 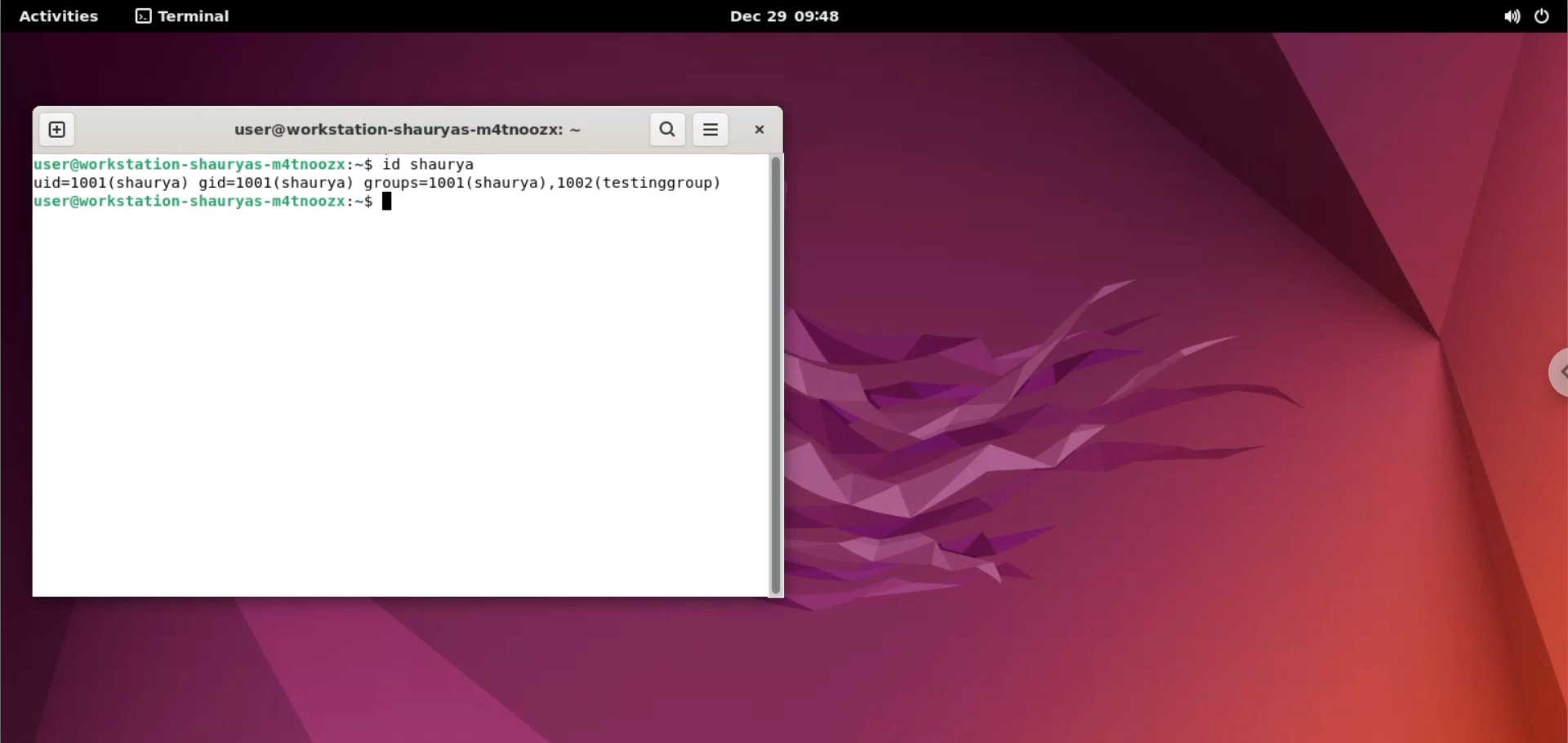 I want to click on uid=1001(shaurya) gid=1001(shaurya) groups=1001(shaurya), 1002(testinggroup), so click(x=388, y=184).